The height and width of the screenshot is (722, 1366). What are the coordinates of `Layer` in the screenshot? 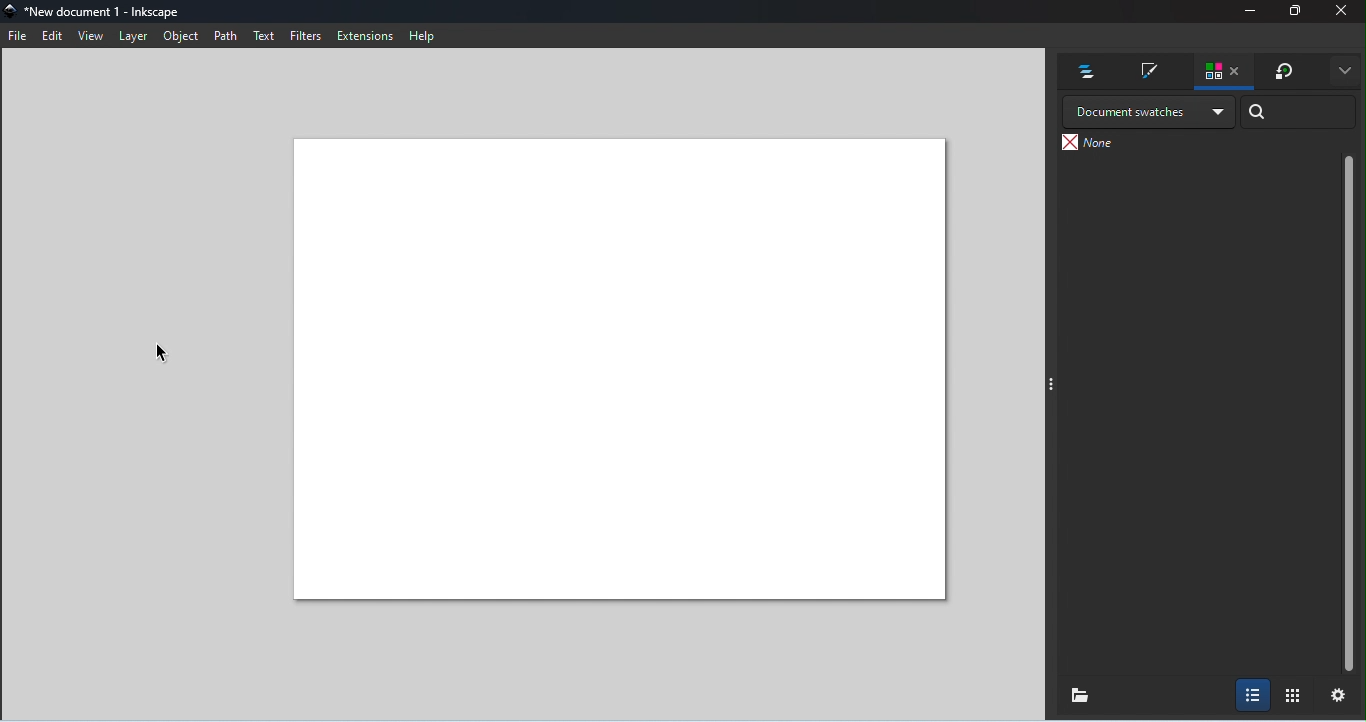 It's located at (134, 37).